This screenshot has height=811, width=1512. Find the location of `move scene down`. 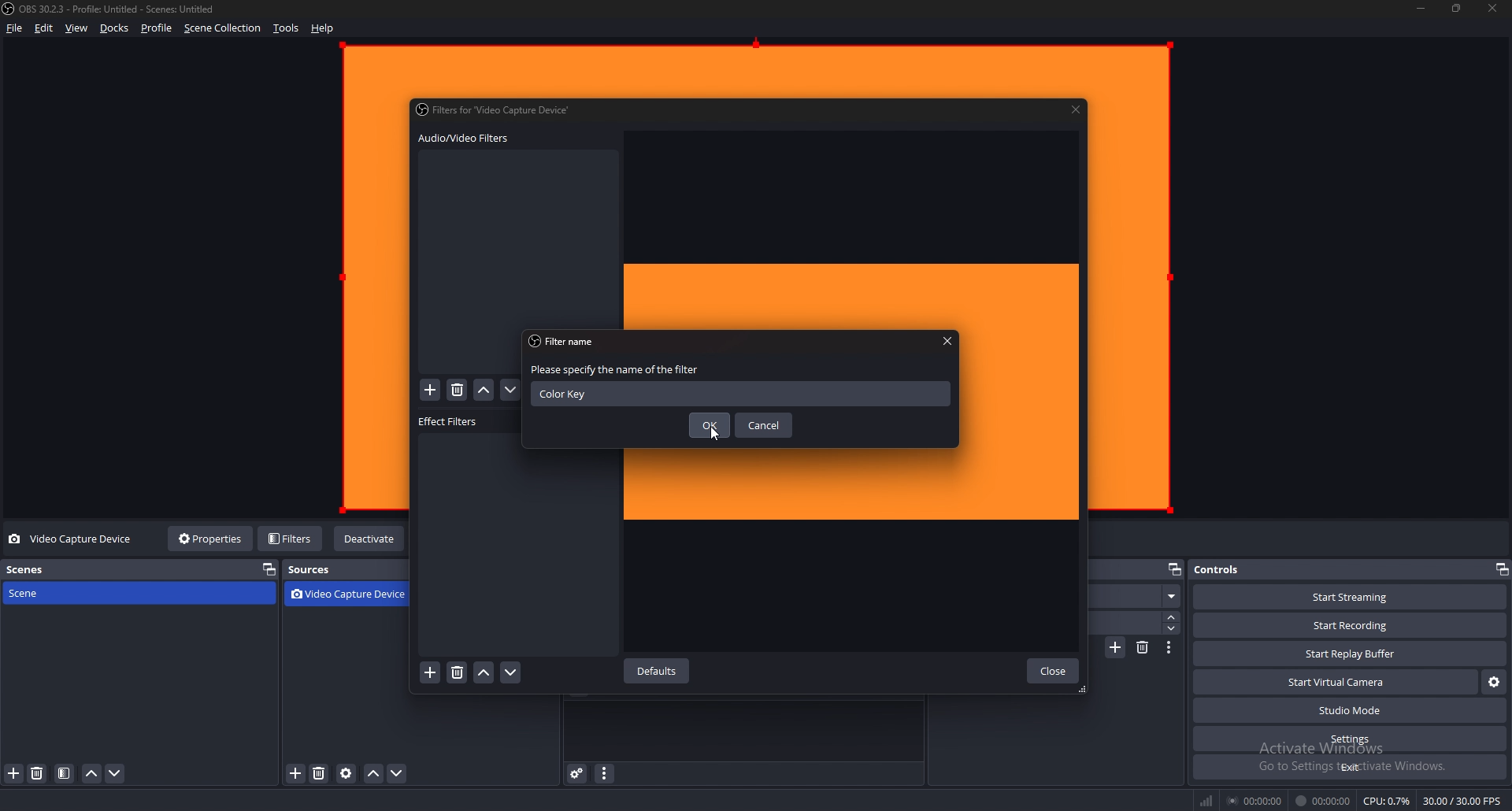

move scene down is located at coordinates (114, 774).